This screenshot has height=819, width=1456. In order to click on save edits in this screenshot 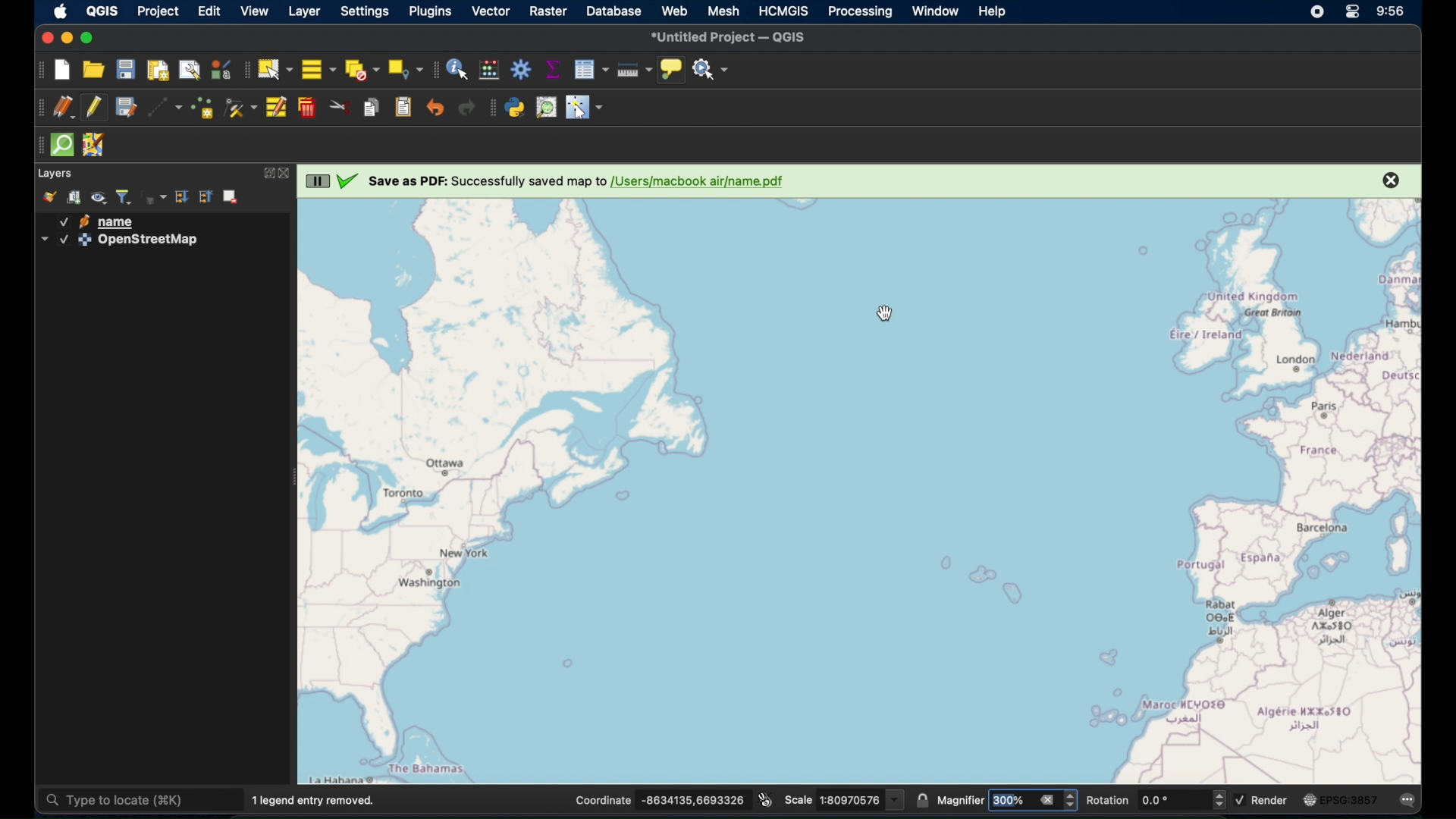, I will do `click(125, 108)`.